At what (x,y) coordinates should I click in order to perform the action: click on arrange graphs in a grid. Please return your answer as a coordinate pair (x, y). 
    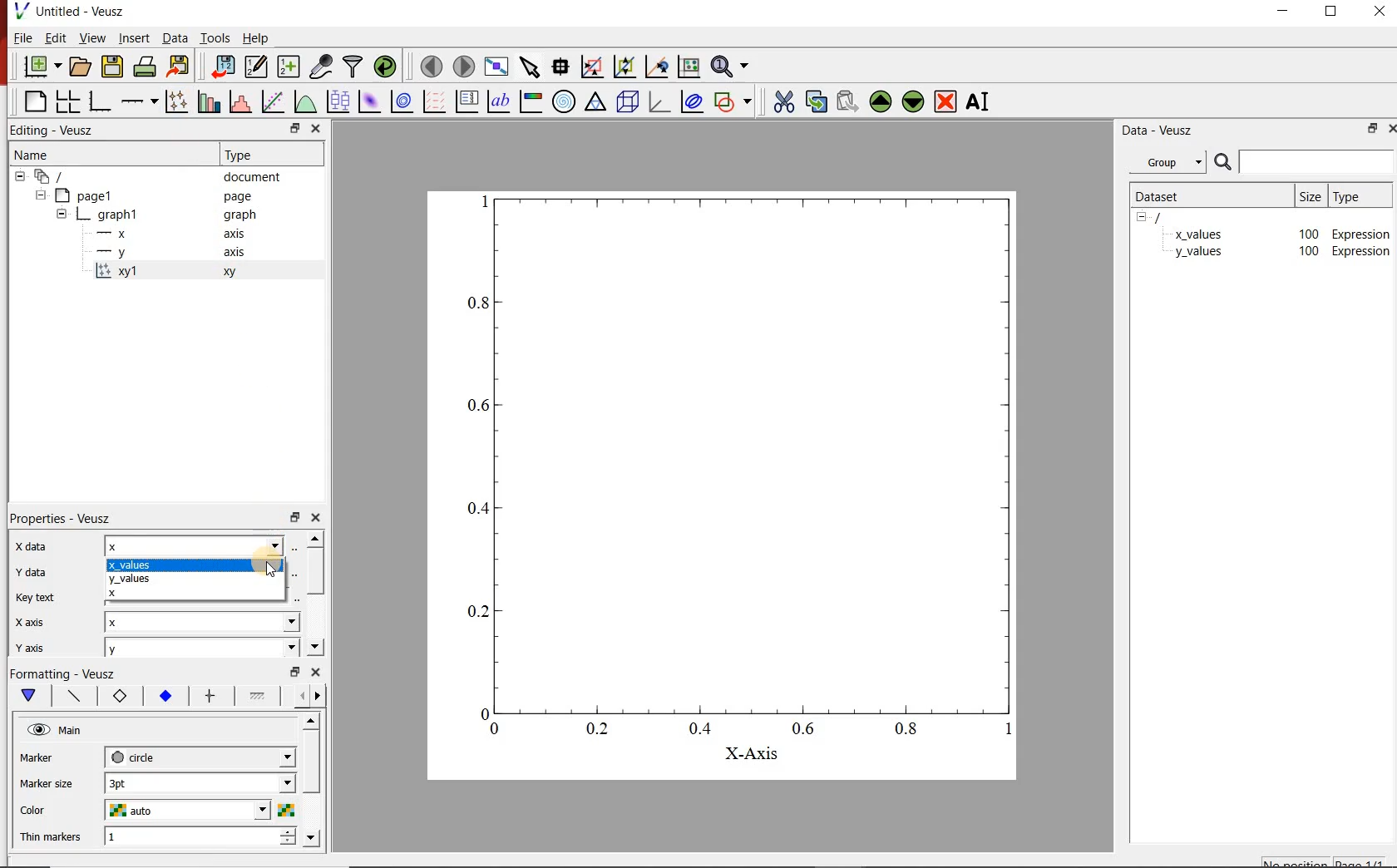
    Looking at the image, I should click on (67, 102).